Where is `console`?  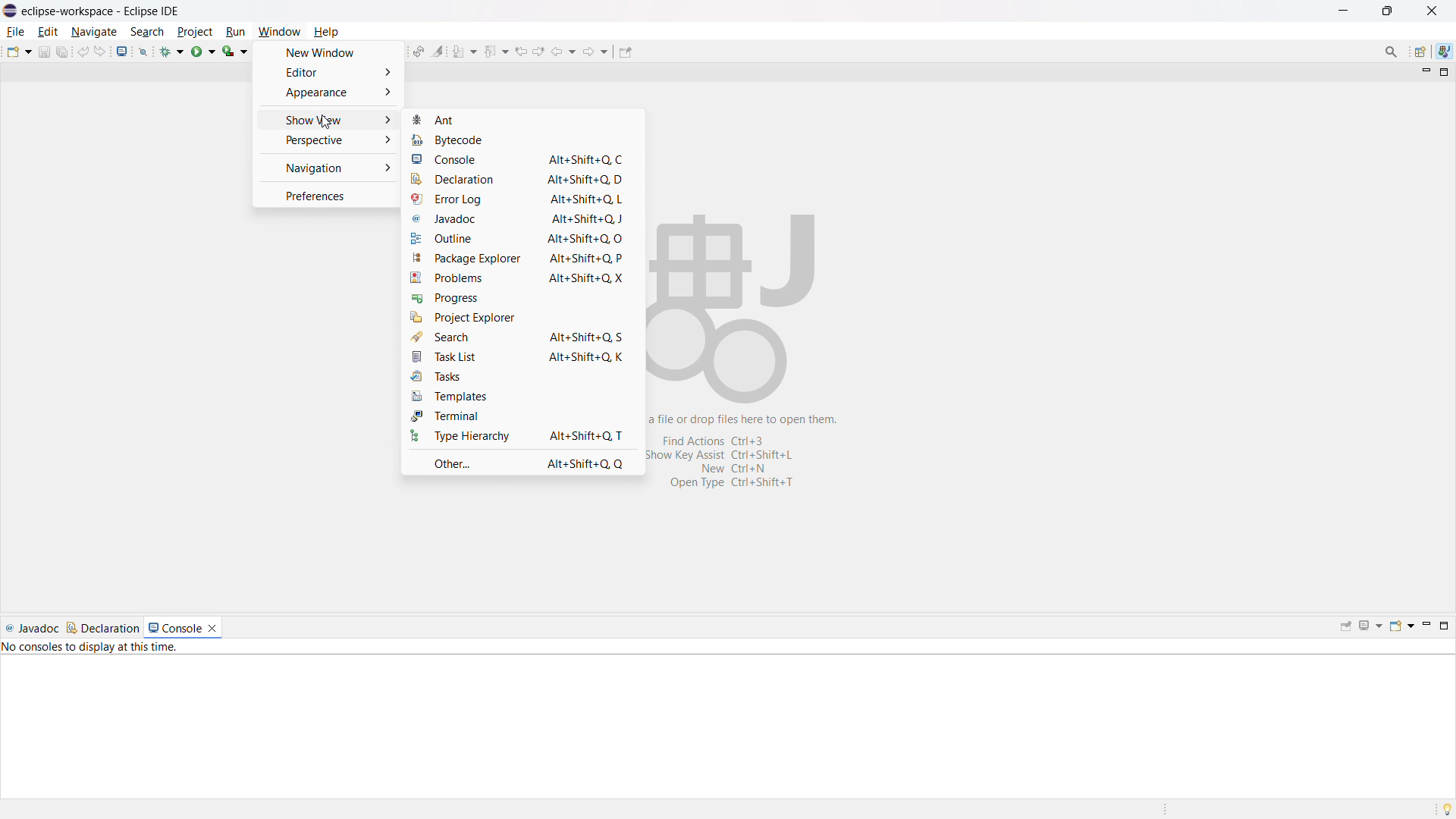 console is located at coordinates (522, 159).